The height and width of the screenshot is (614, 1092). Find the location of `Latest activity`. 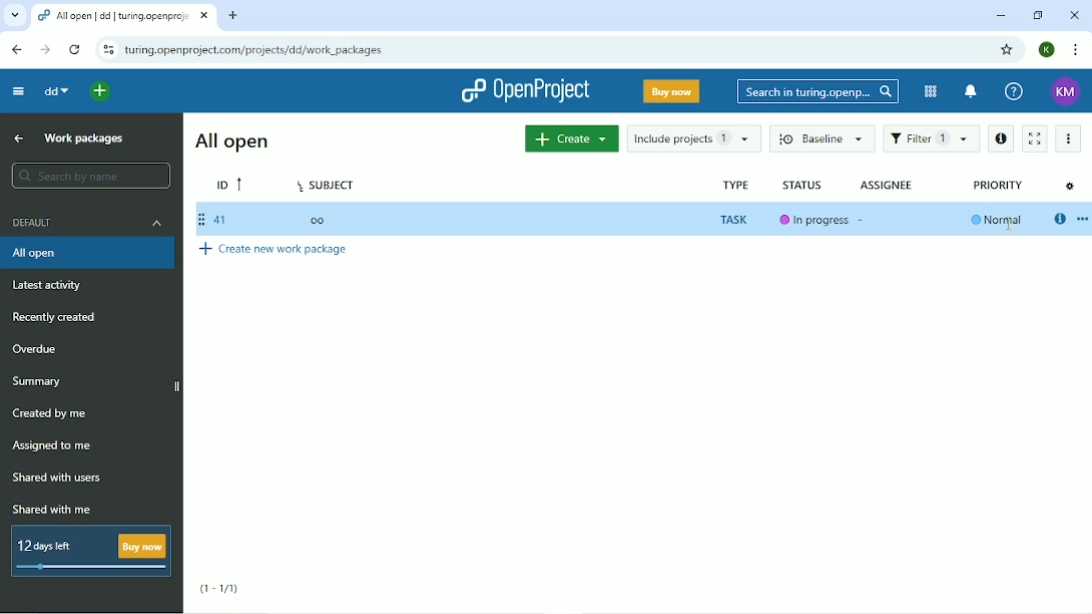

Latest activity is located at coordinates (51, 286).